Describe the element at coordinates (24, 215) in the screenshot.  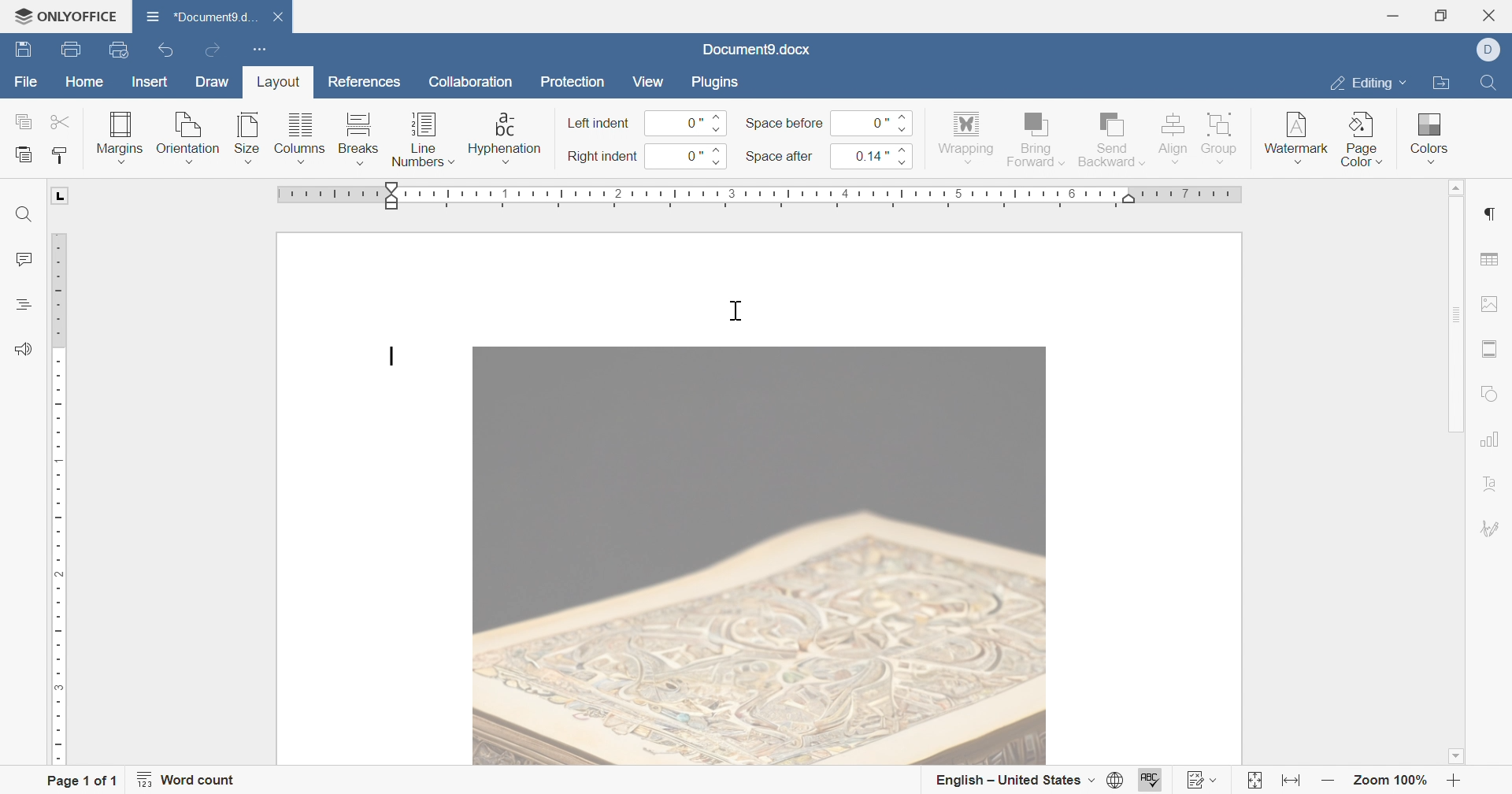
I see `find` at that location.